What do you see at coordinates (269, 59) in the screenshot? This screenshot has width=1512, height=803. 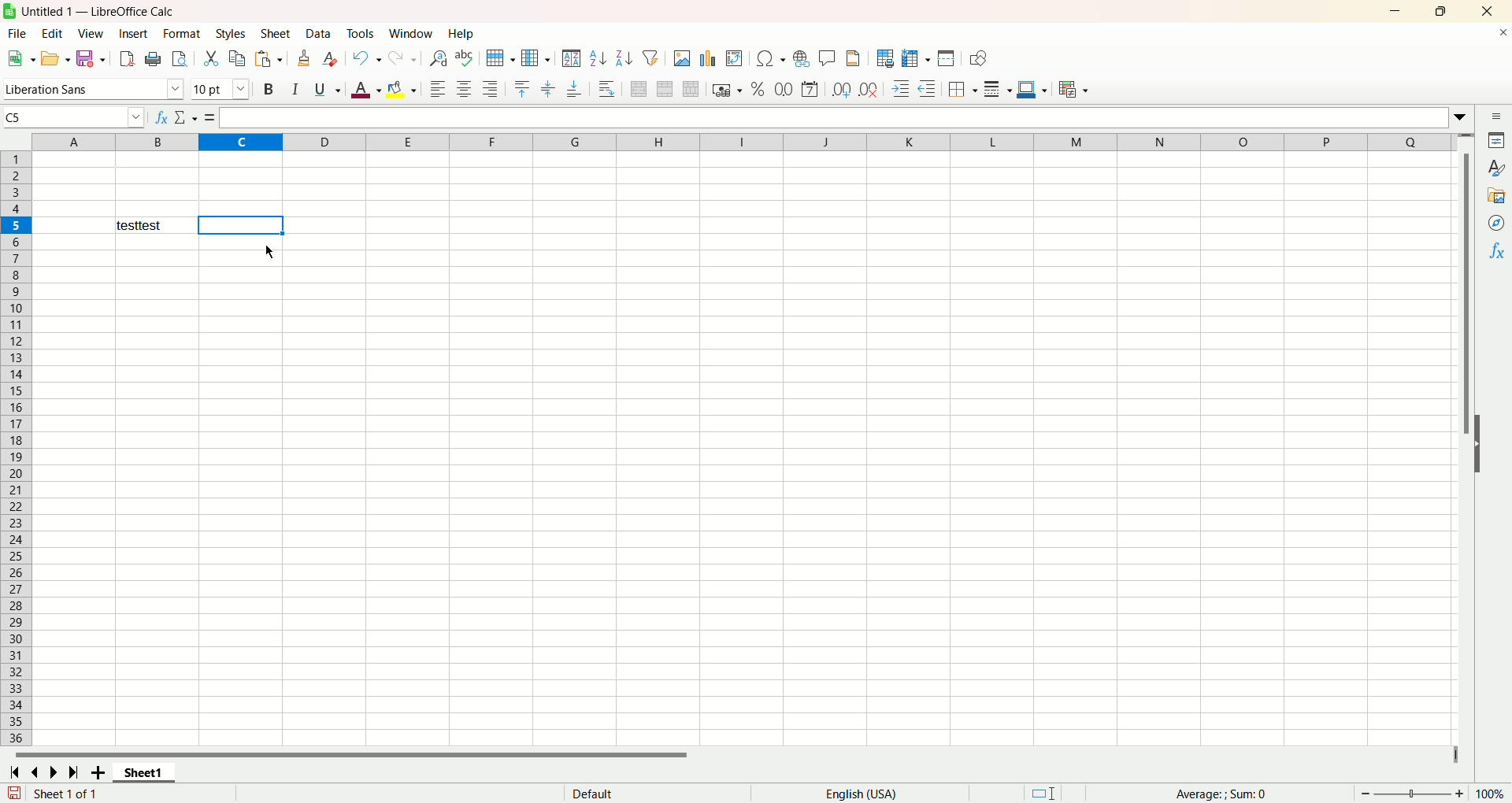 I see `paste` at bounding box center [269, 59].